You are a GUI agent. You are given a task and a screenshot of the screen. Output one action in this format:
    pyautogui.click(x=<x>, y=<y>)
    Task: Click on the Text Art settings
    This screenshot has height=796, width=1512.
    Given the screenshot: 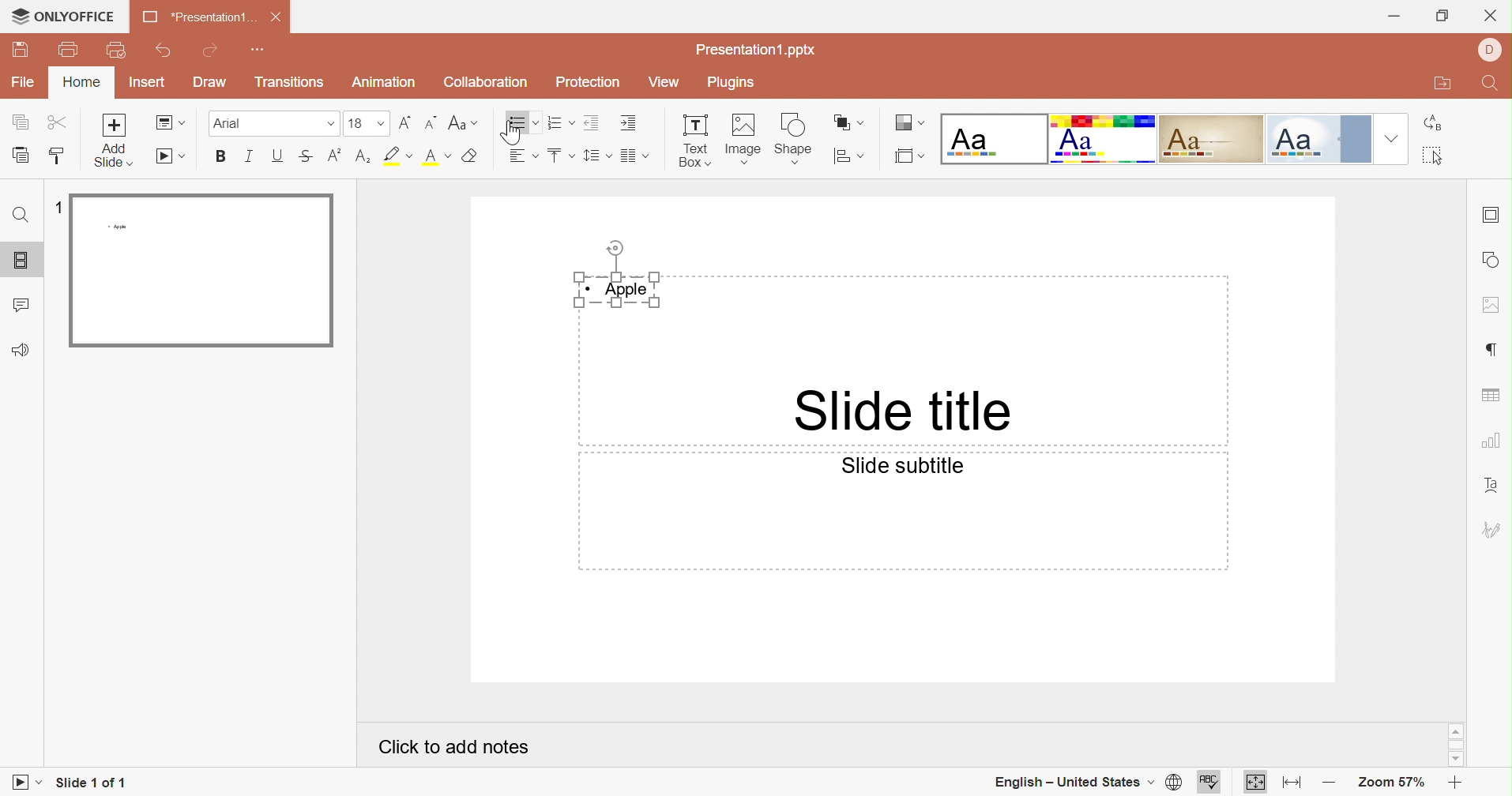 What is the action you would take?
    pyautogui.click(x=1495, y=485)
    